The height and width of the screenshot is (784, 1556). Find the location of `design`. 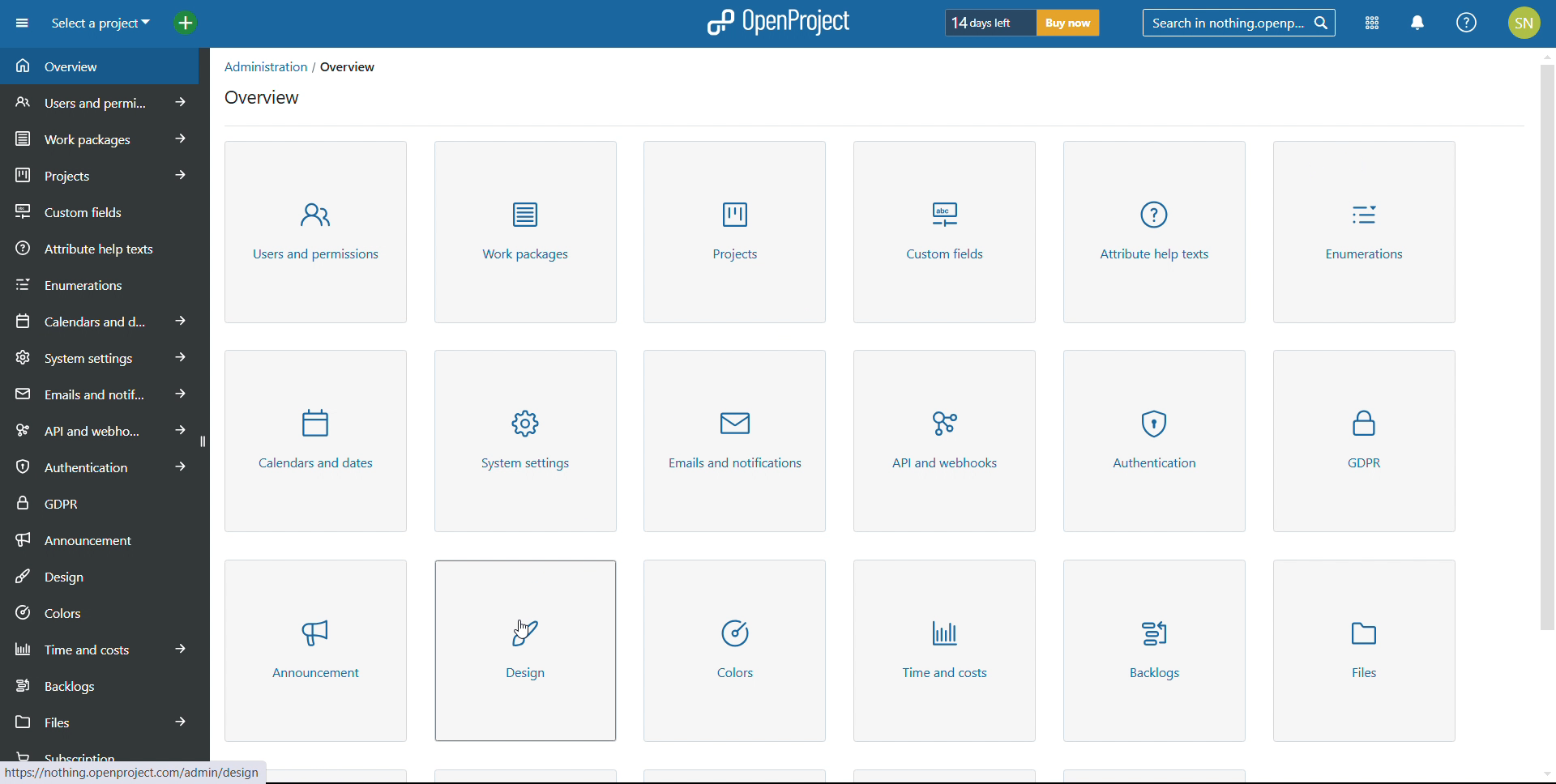

design is located at coordinates (524, 650).